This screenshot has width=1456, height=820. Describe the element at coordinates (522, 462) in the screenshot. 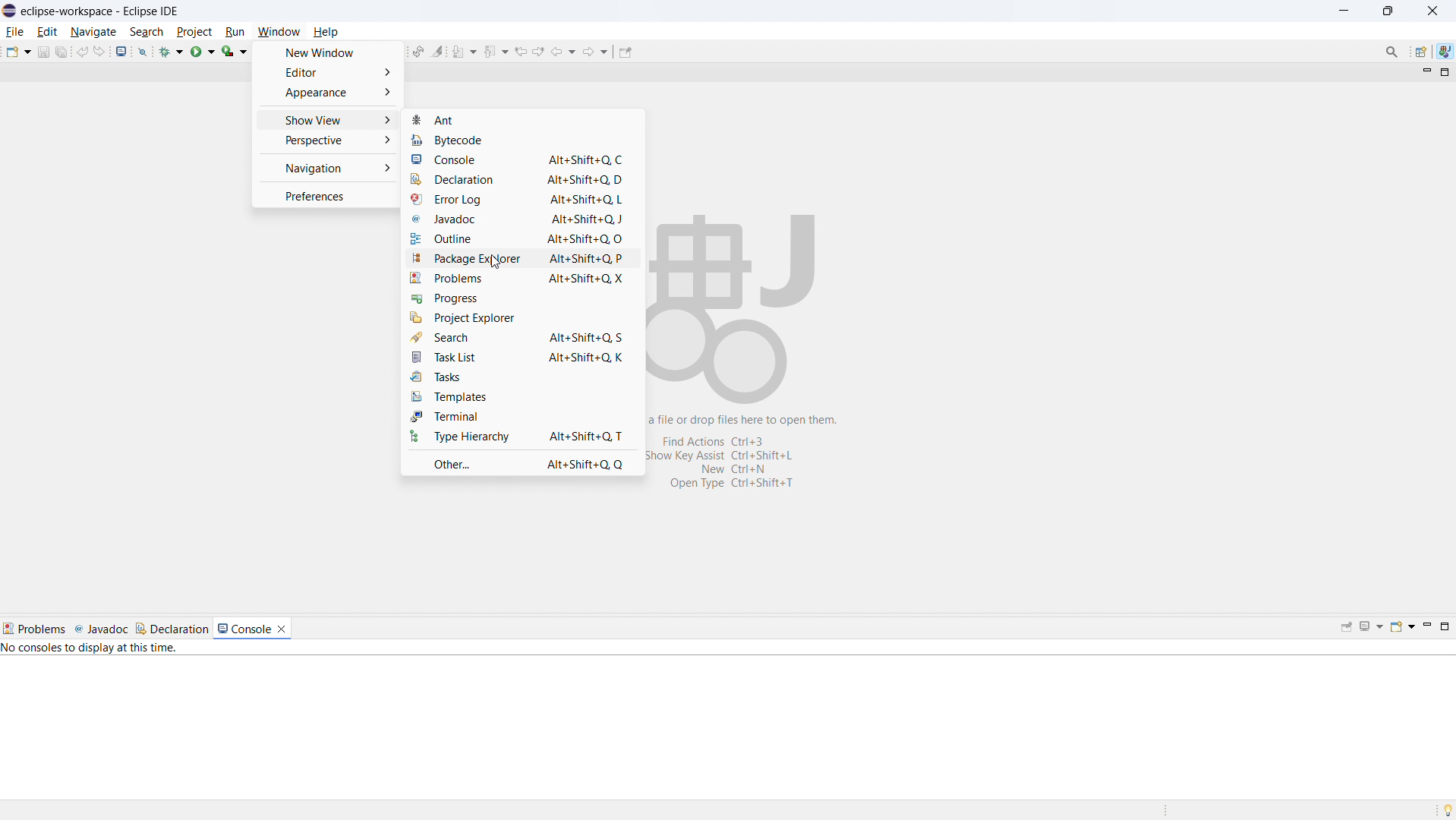

I see `other` at that location.